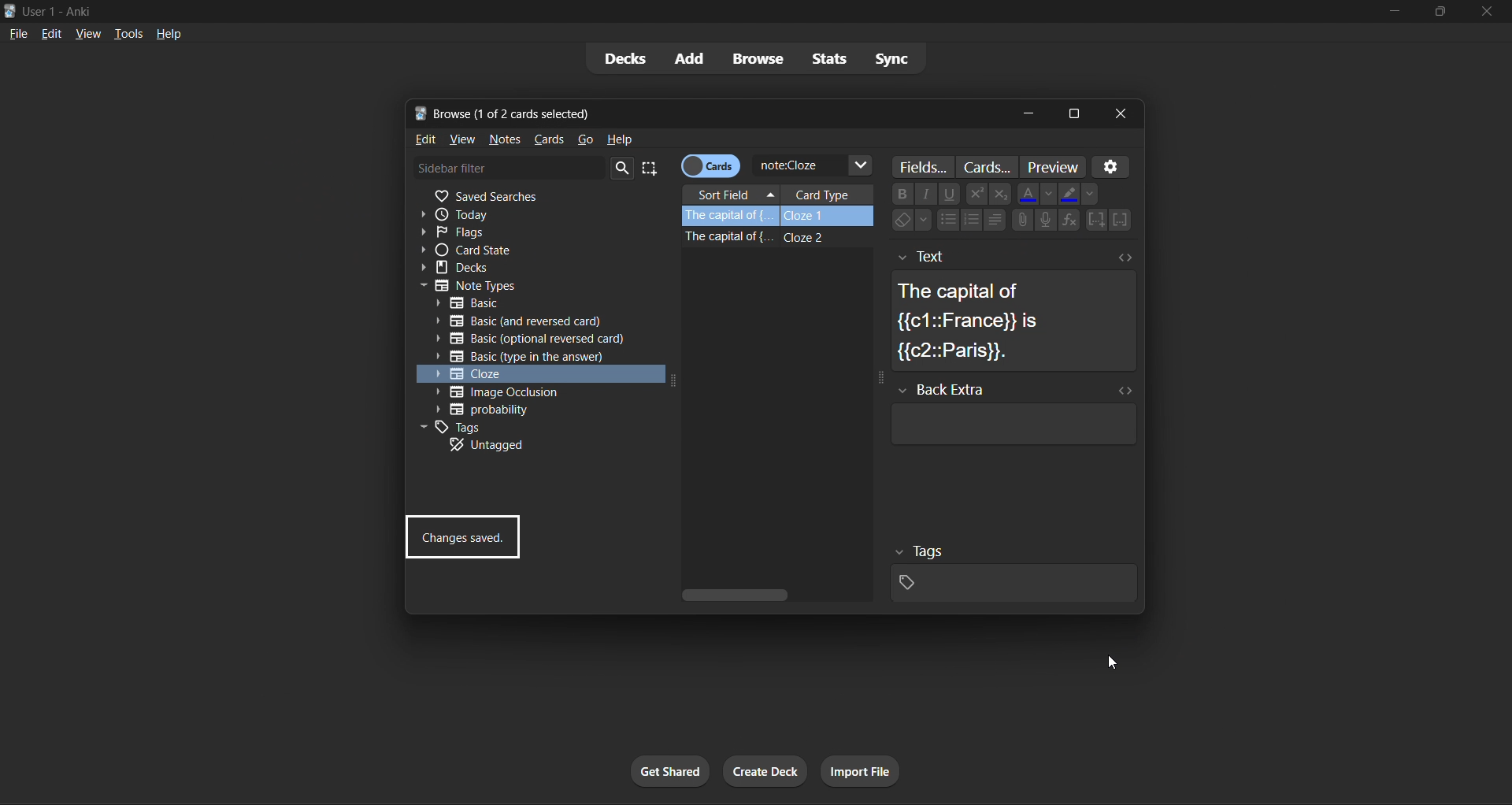 Image resolution: width=1512 pixels, height=805 pixels. I want to click on status update, so click(463, 538).